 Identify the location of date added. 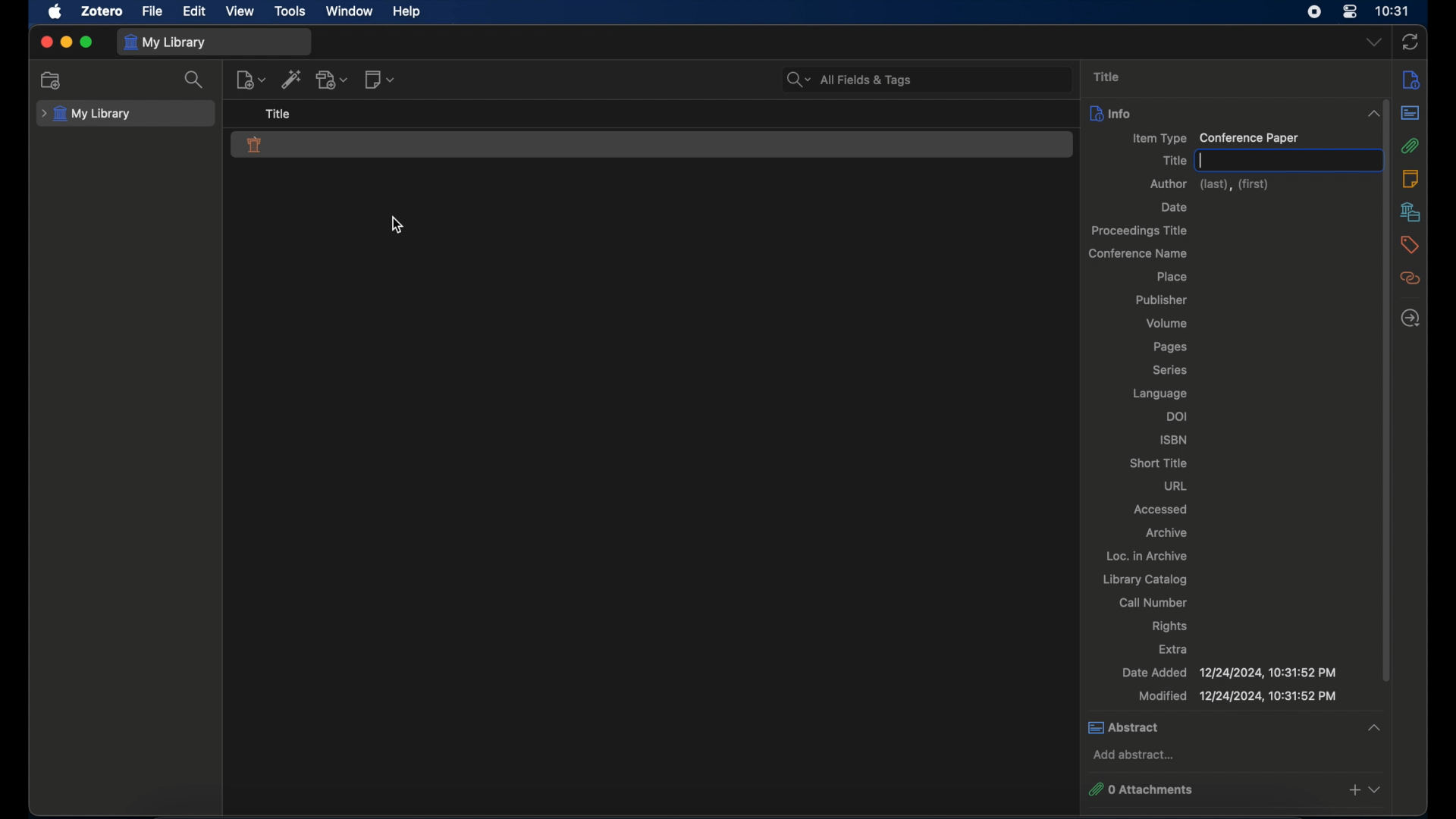
(1229, 673).